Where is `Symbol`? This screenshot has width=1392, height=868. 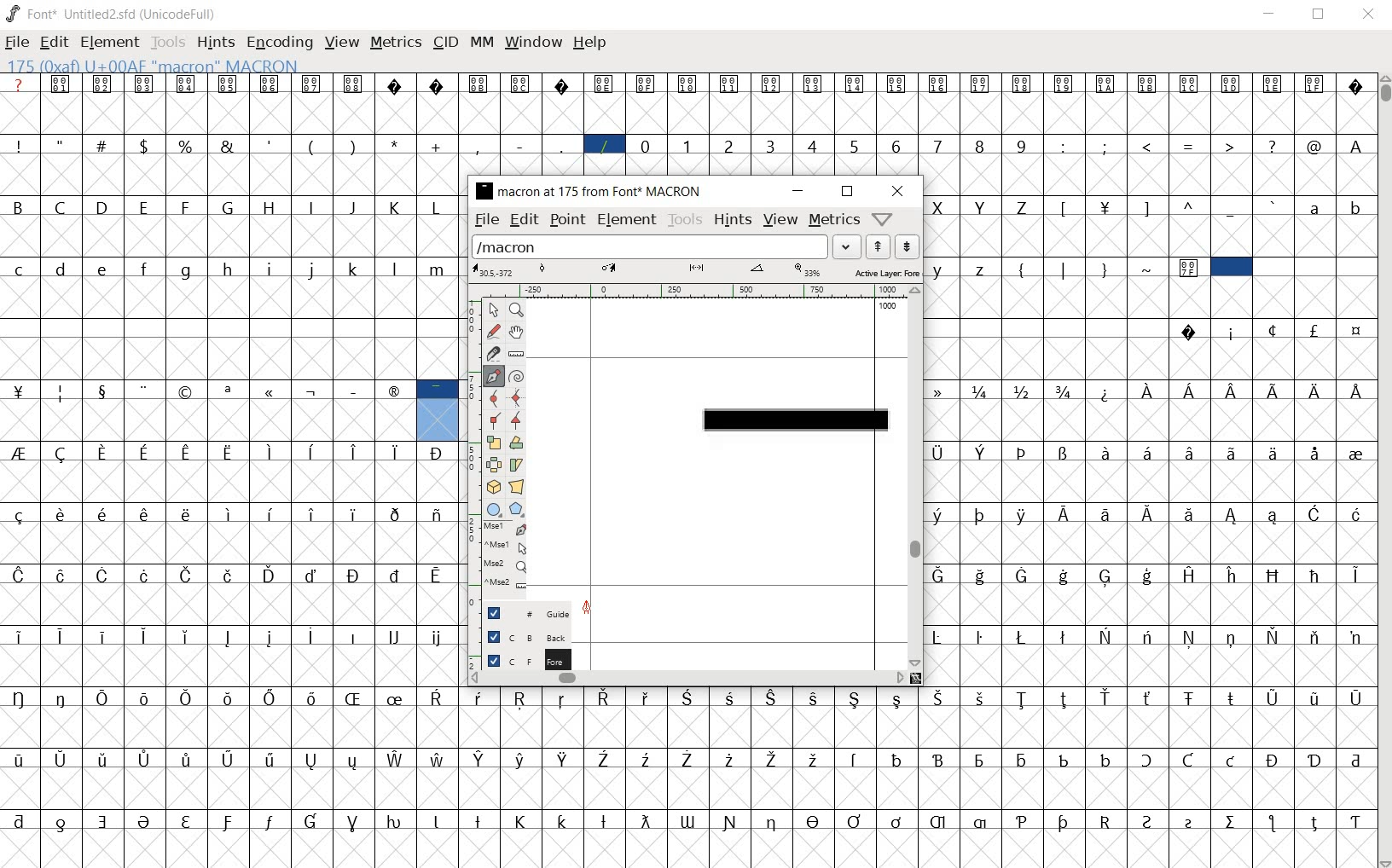 Symbol is located at coordinates (230, 757).